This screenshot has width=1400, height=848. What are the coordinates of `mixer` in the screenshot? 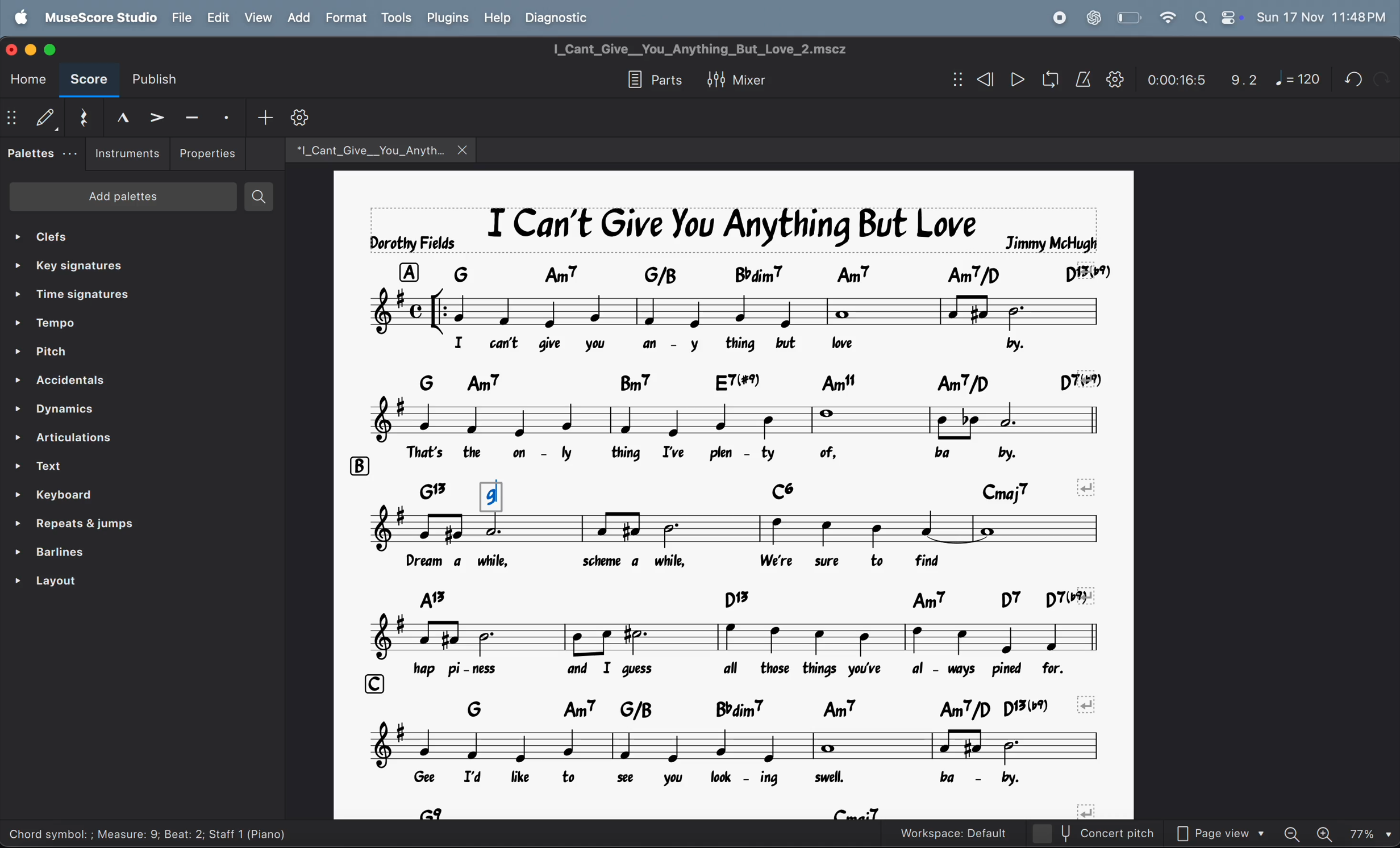 It's located at (736, 81).